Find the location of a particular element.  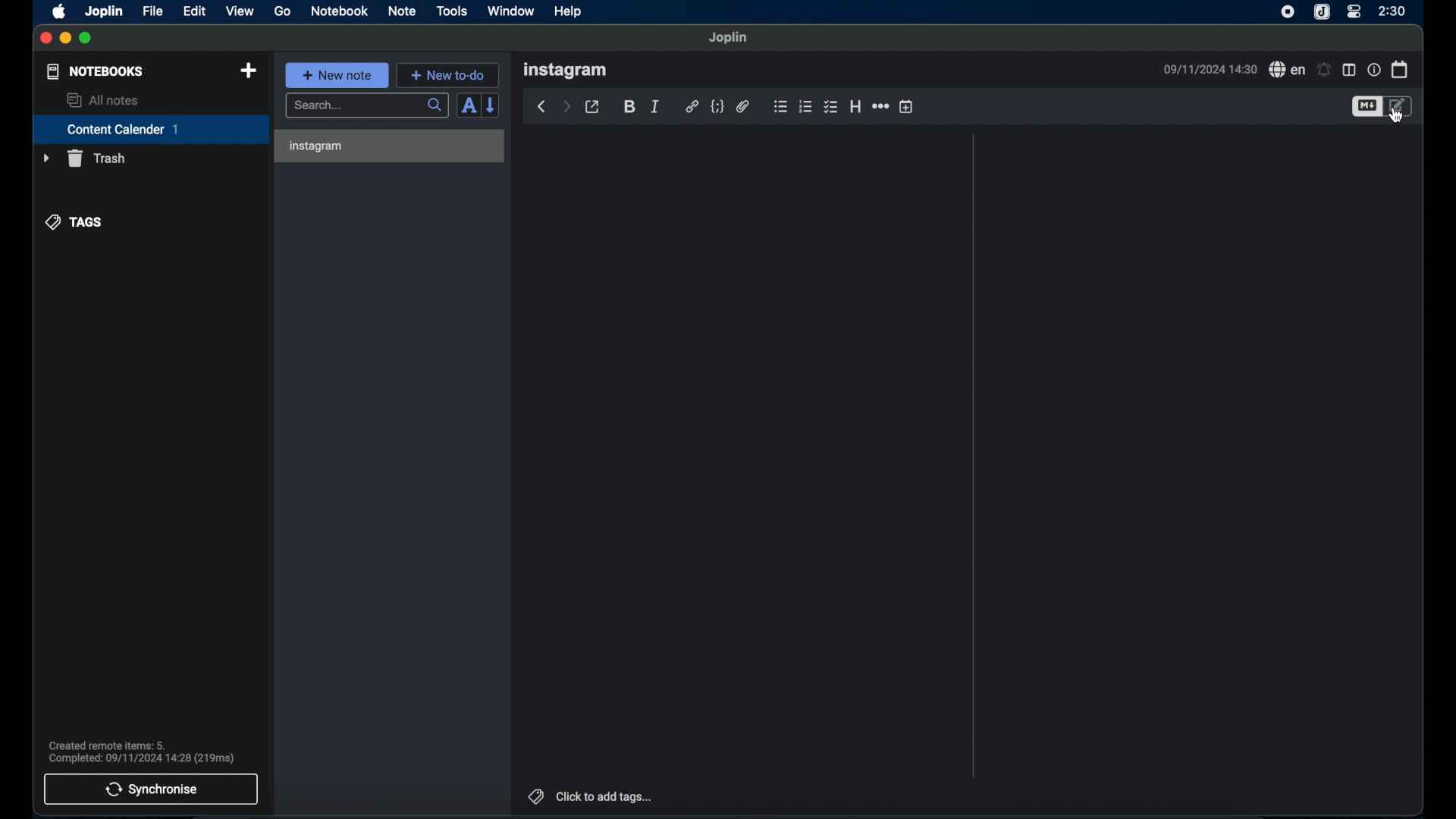

content calender 1 is located at coordinates (151, 129).